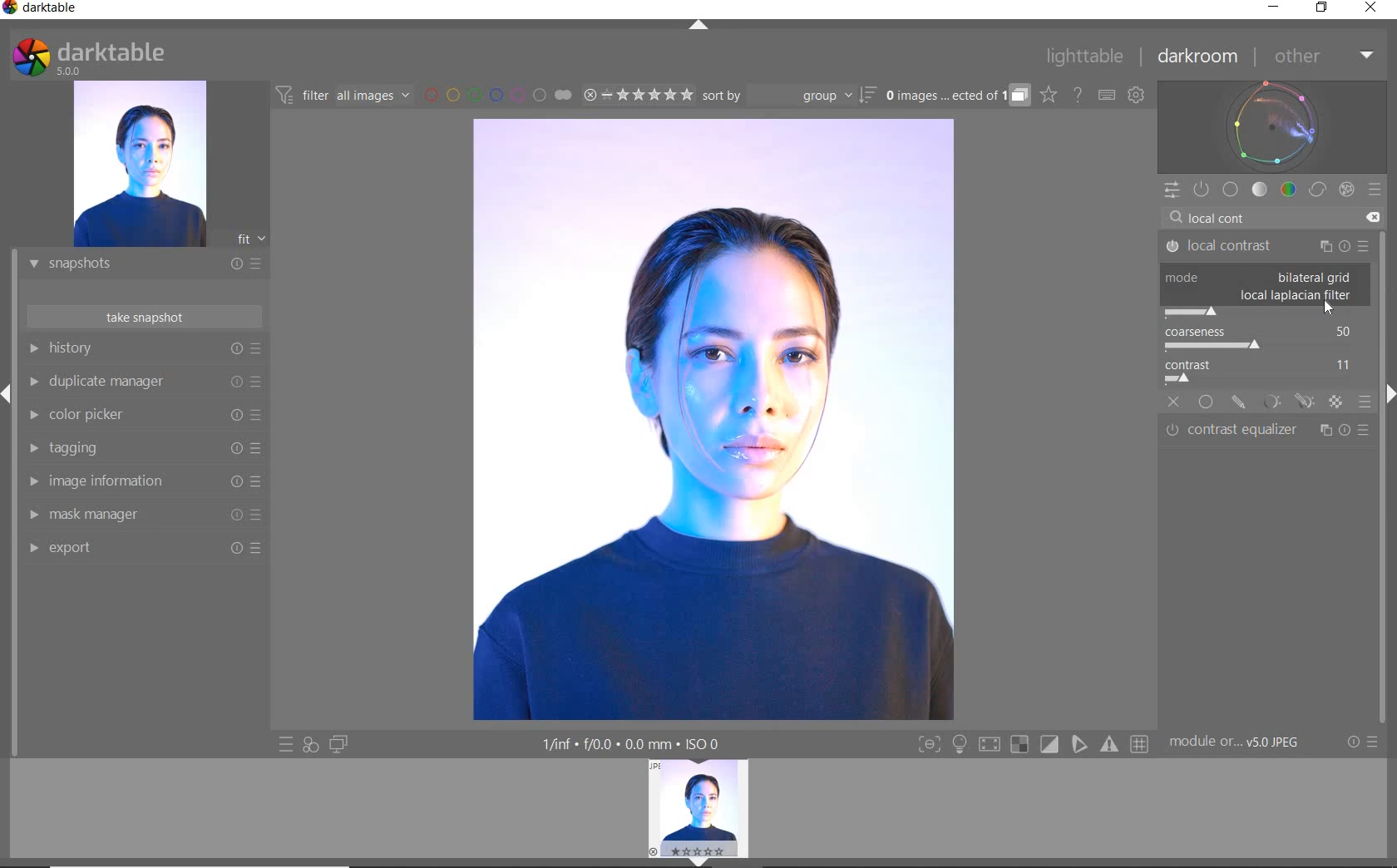 The height and width of the screenshot is (868, 1397). What do you see at coordinates (1050, 745) in the screenshot?
I see `Button` at bounding box center [1050, 745].